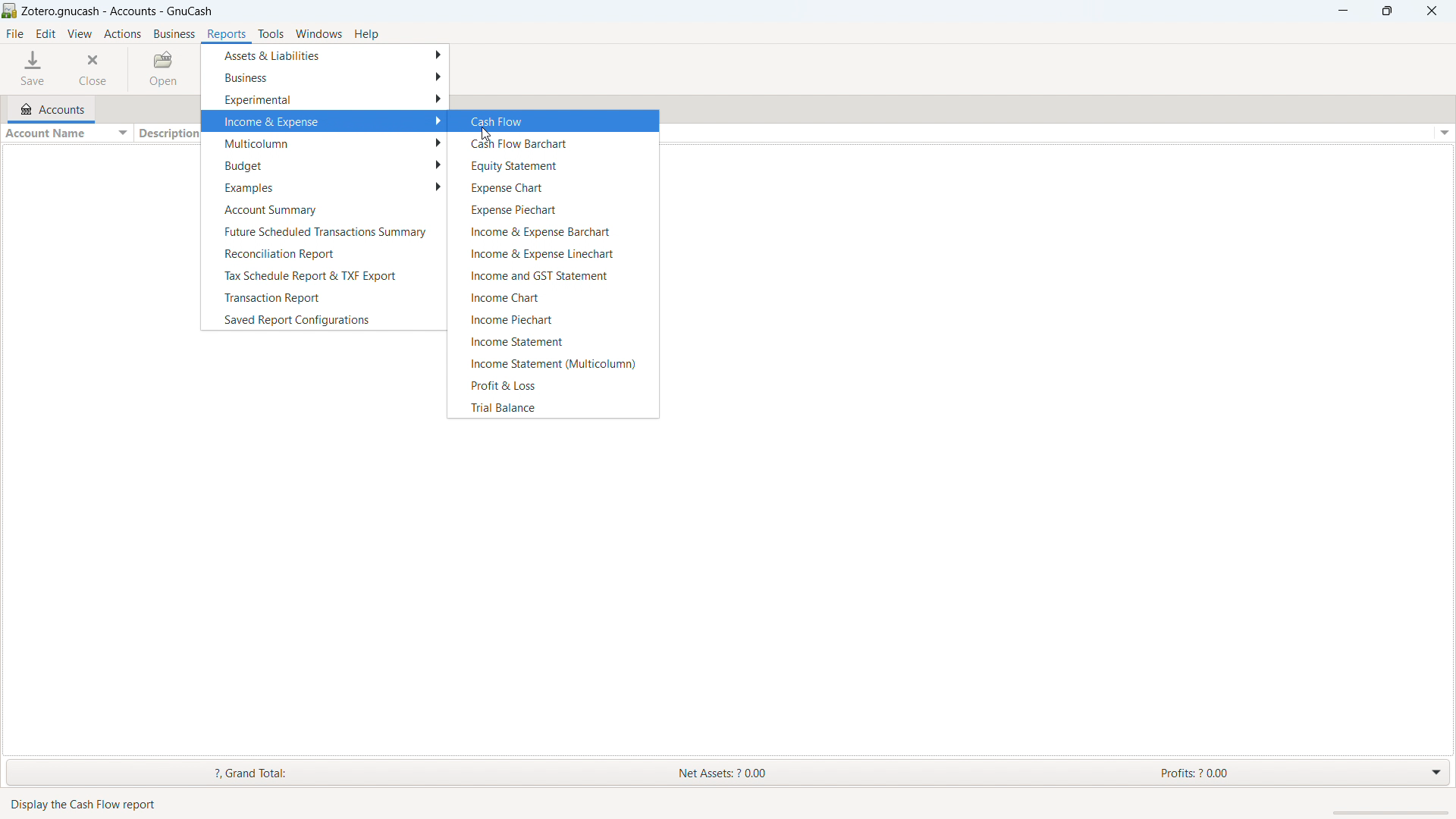 The width and height of the screenshot is (1456, 819). What do you see at coordinates (96, 68) in the screenshot?
I see `close` at bounding box center [96, 68].